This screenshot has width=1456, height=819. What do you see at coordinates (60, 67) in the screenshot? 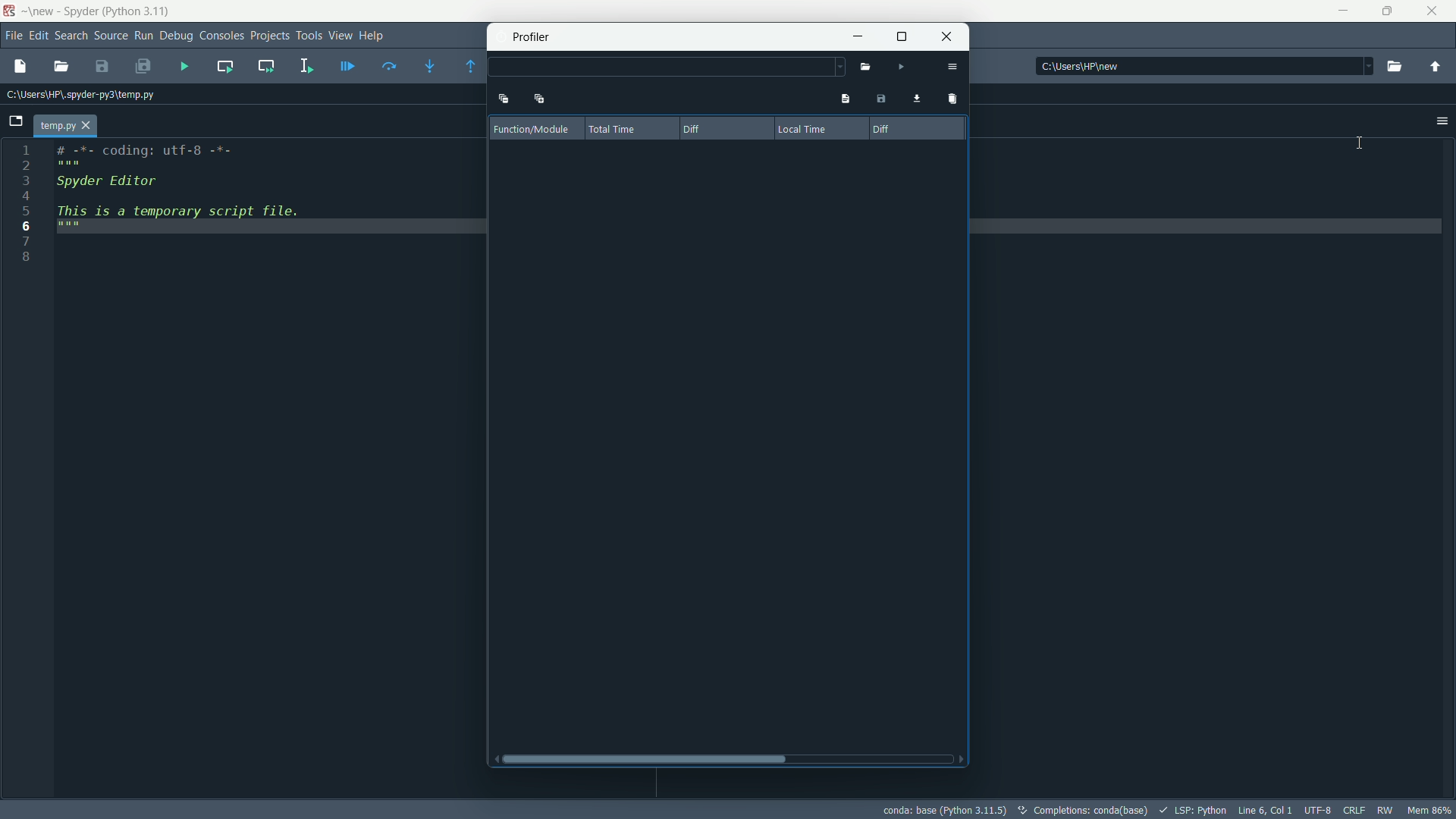
I see `open file` at bounding box center [60, 67].